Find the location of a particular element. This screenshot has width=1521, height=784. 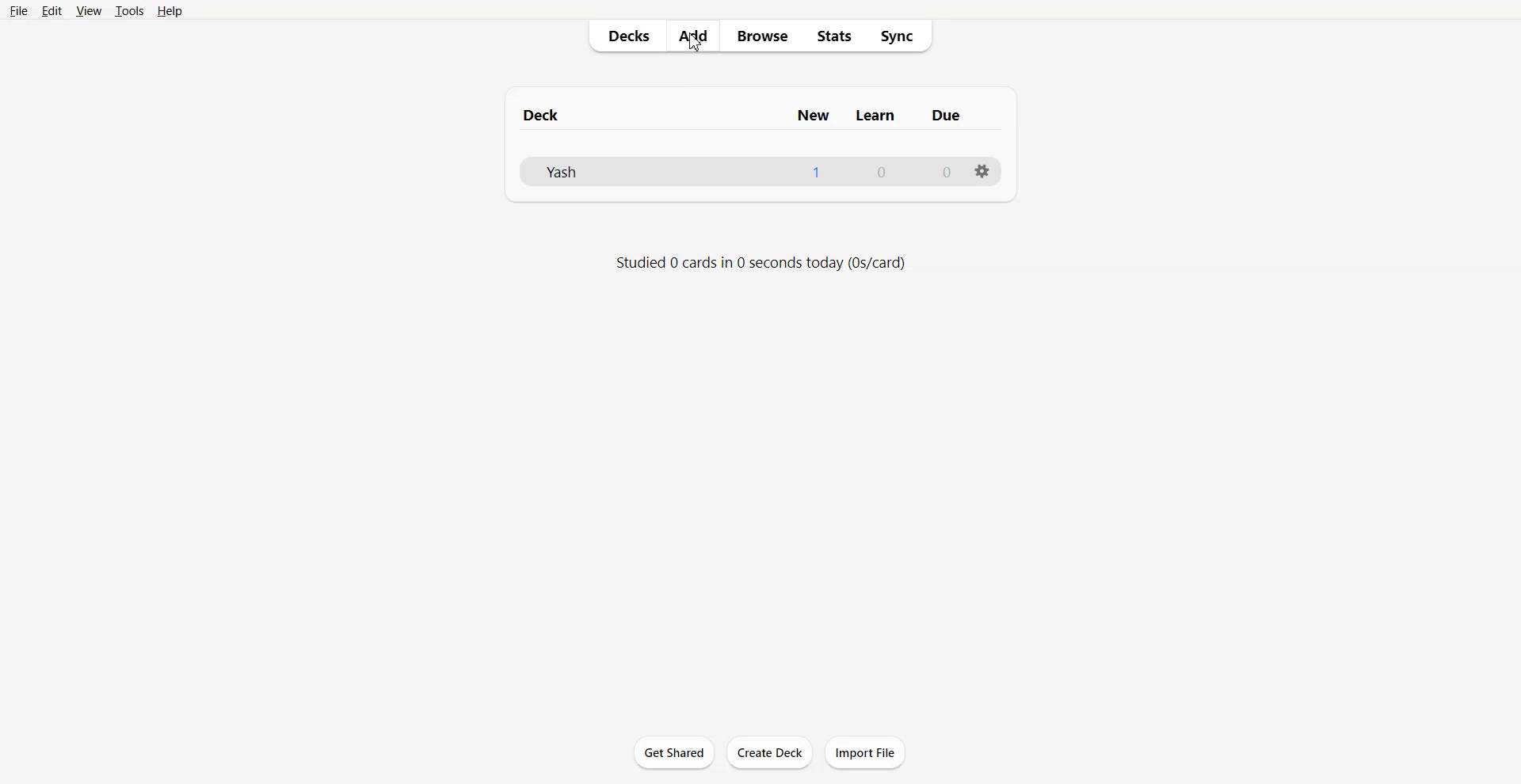

Deck File is located at coordinates (608, 172).